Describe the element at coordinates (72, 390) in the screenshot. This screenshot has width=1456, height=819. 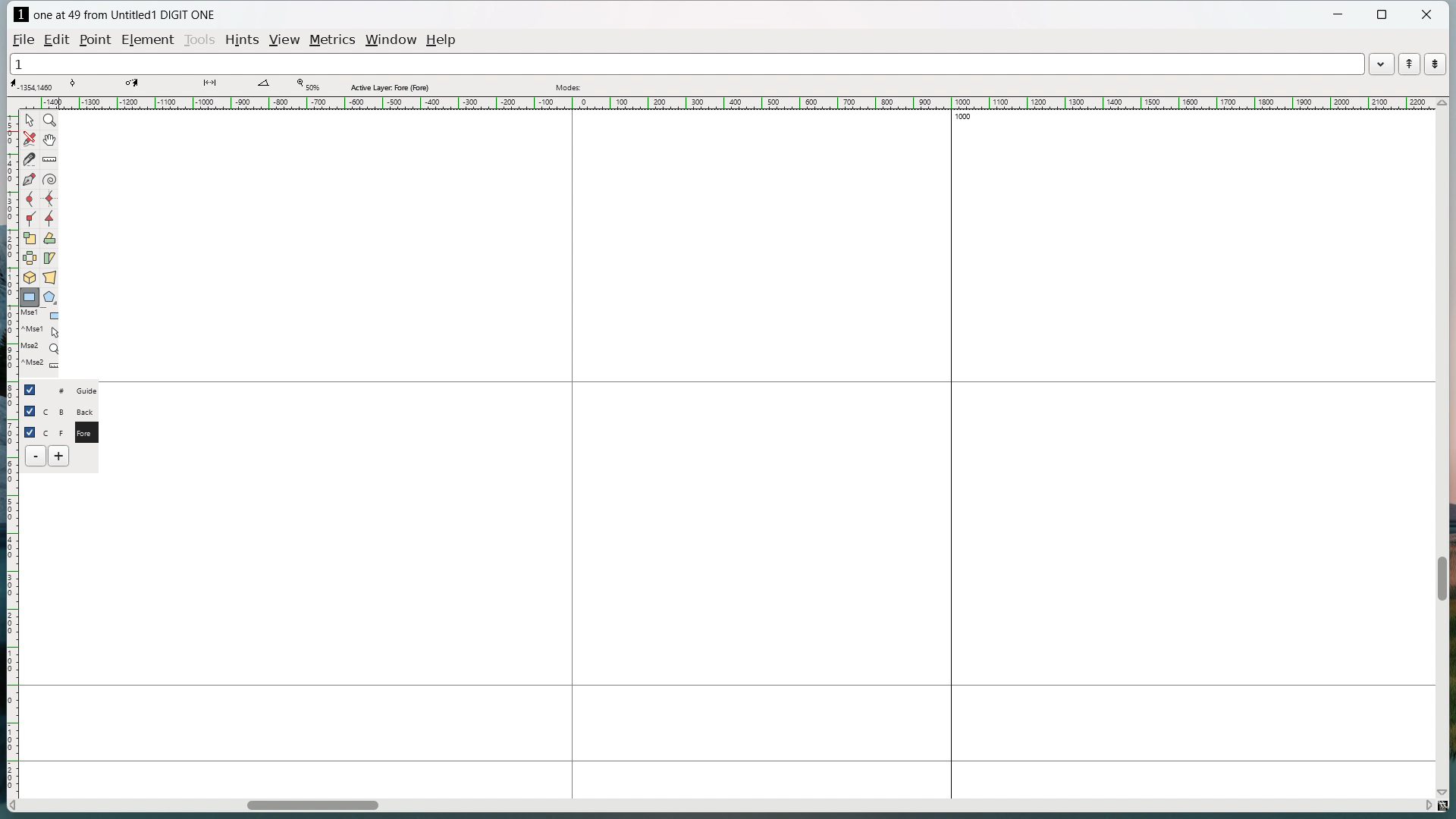
I see `# Guide` at that location.